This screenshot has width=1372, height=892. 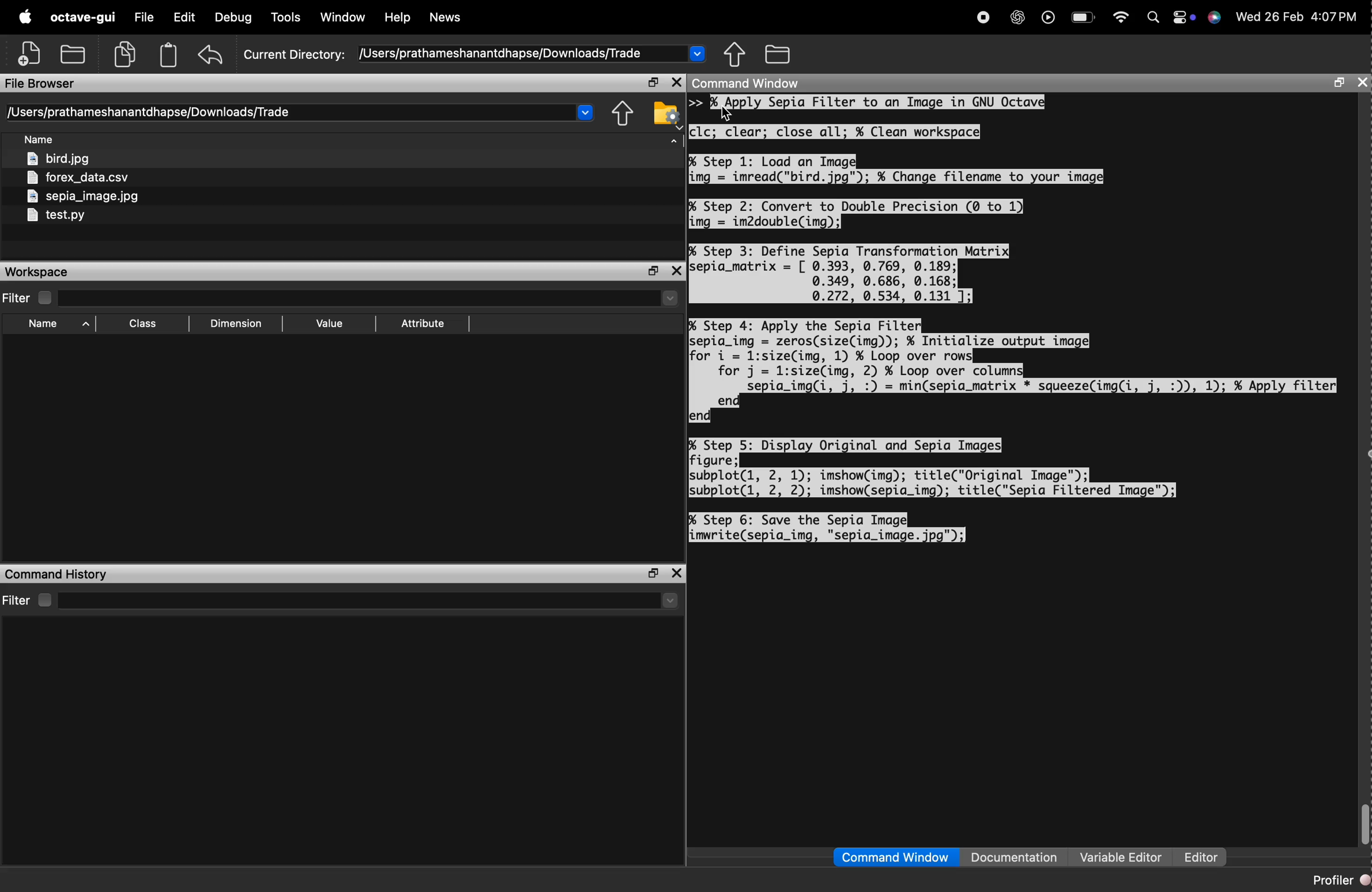 I want to click on Wed 26 Feb 4:07PM, so click(x=1294, y=18).